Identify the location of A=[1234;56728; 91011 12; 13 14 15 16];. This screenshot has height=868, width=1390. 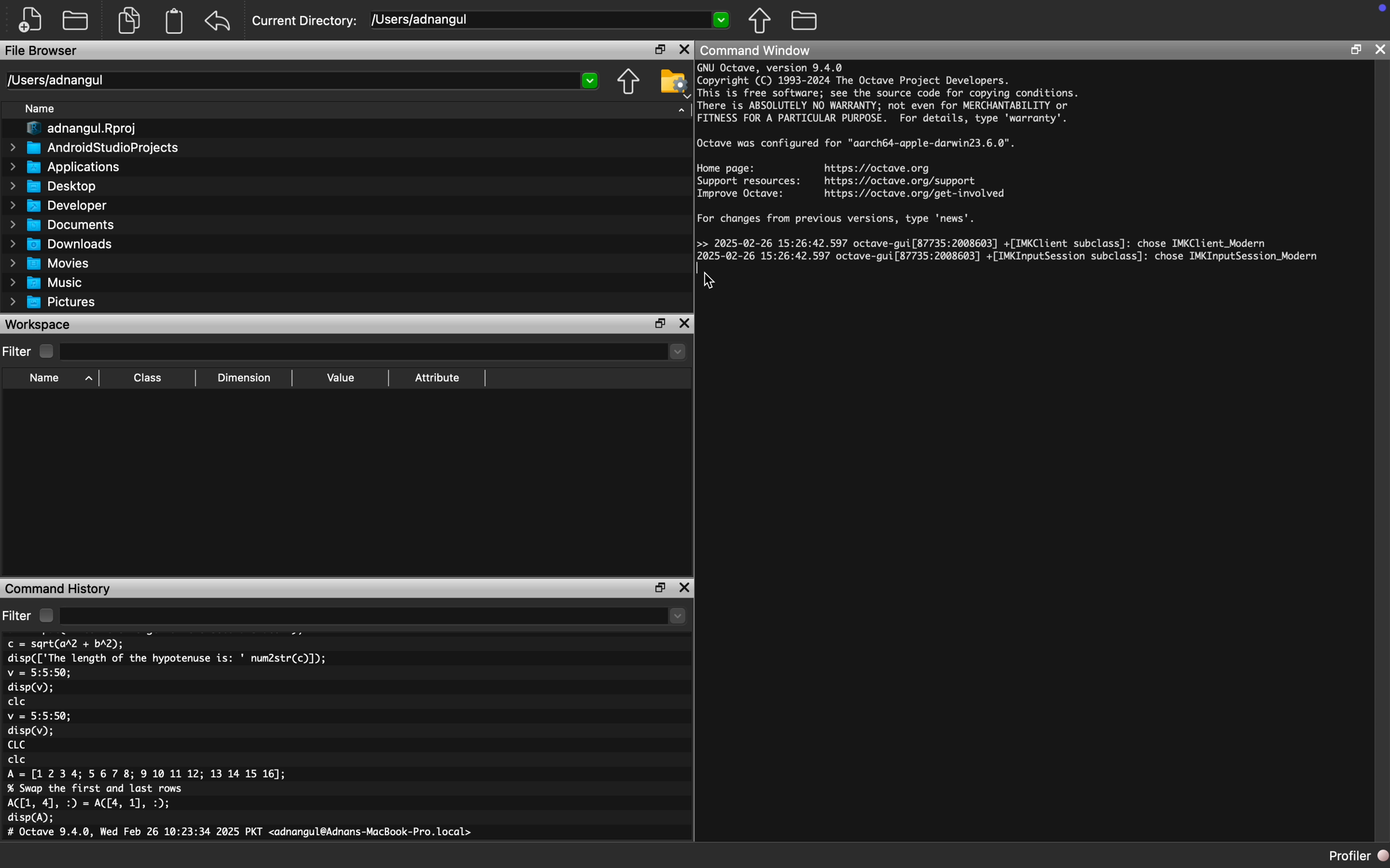
(151, 775).